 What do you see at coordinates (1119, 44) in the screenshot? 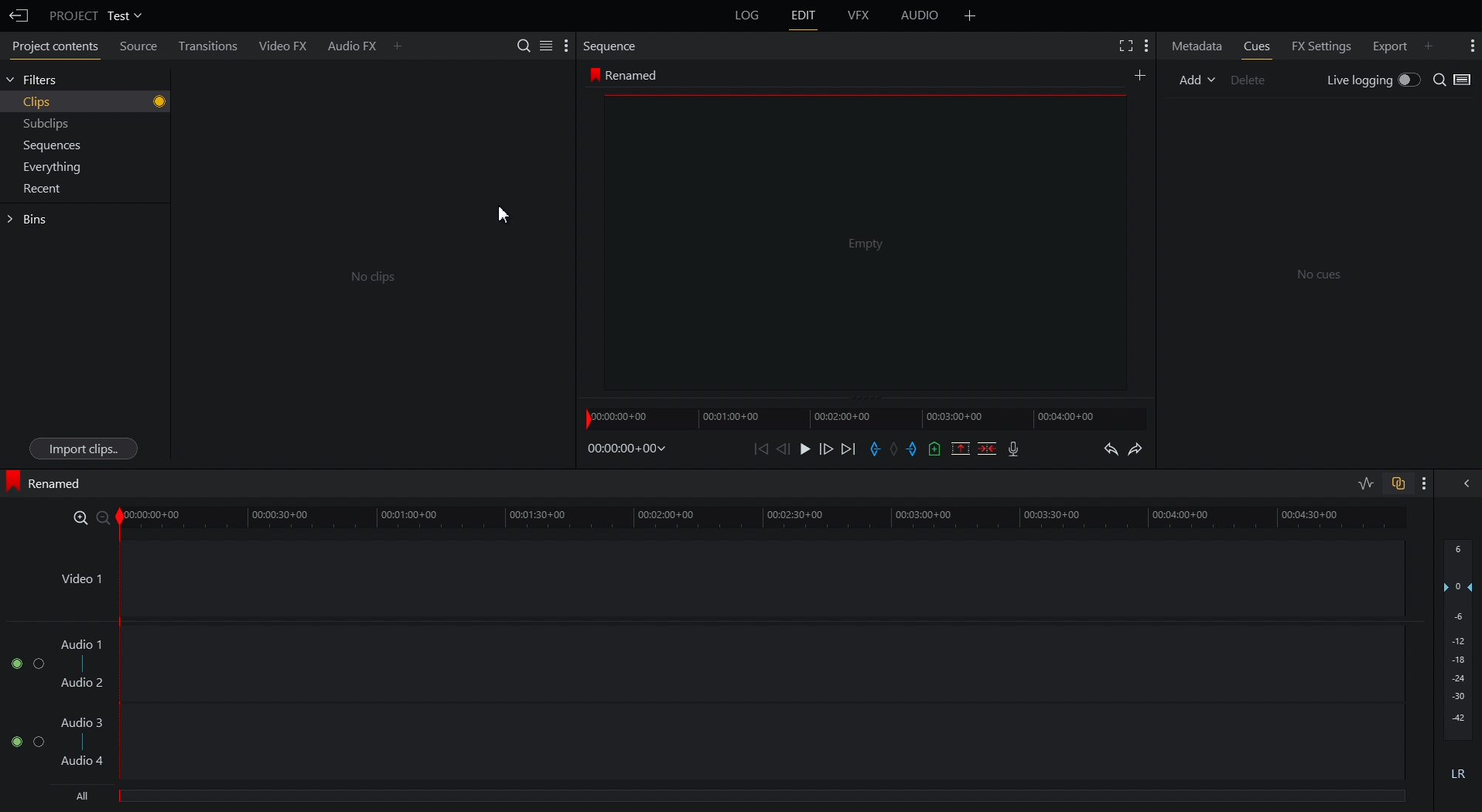
I see `Fullscreen` at bounding box center [1119, 44].